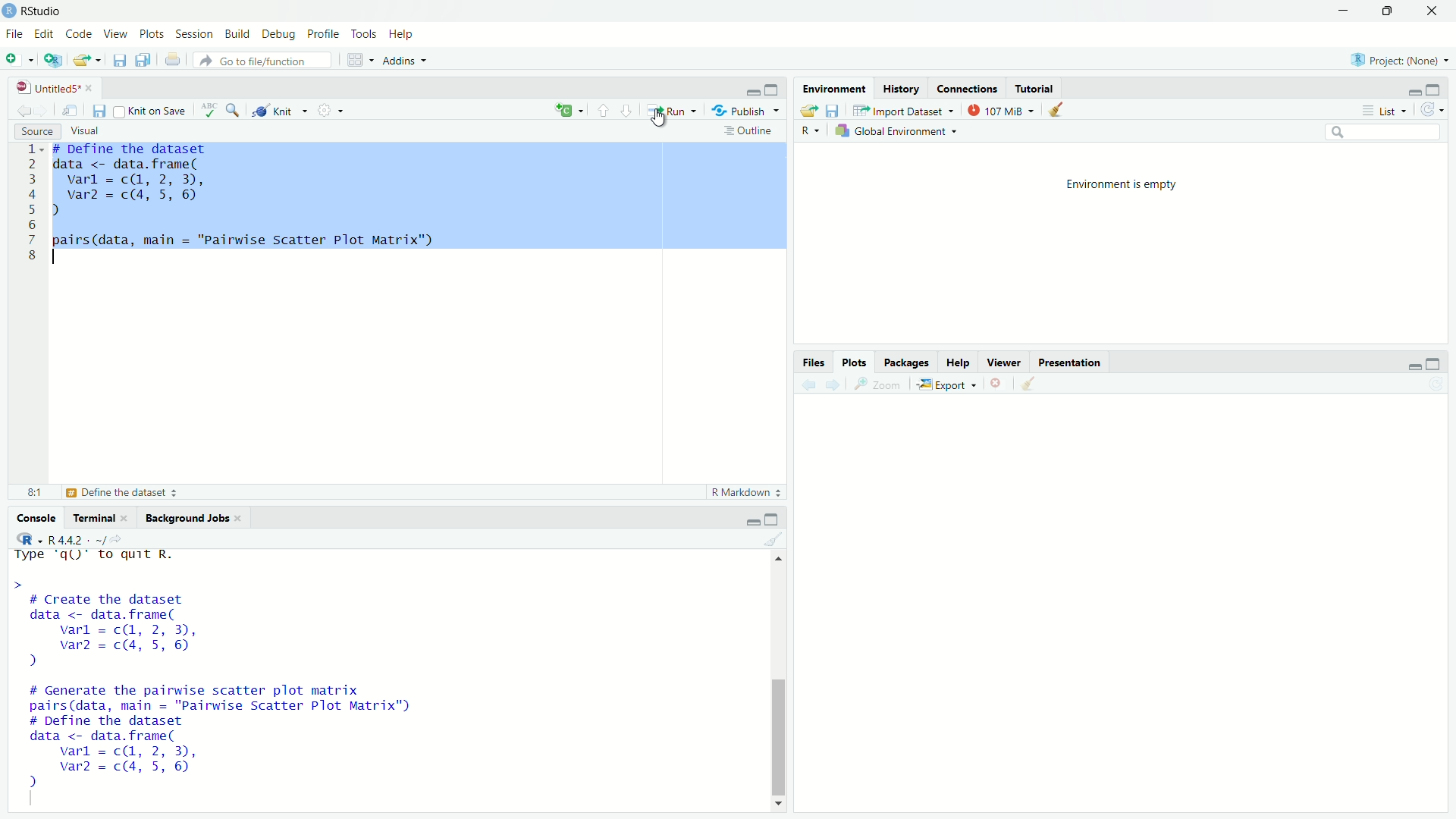 The image size is (1456, 819). I want to click on 8:1, so click(36, 491).